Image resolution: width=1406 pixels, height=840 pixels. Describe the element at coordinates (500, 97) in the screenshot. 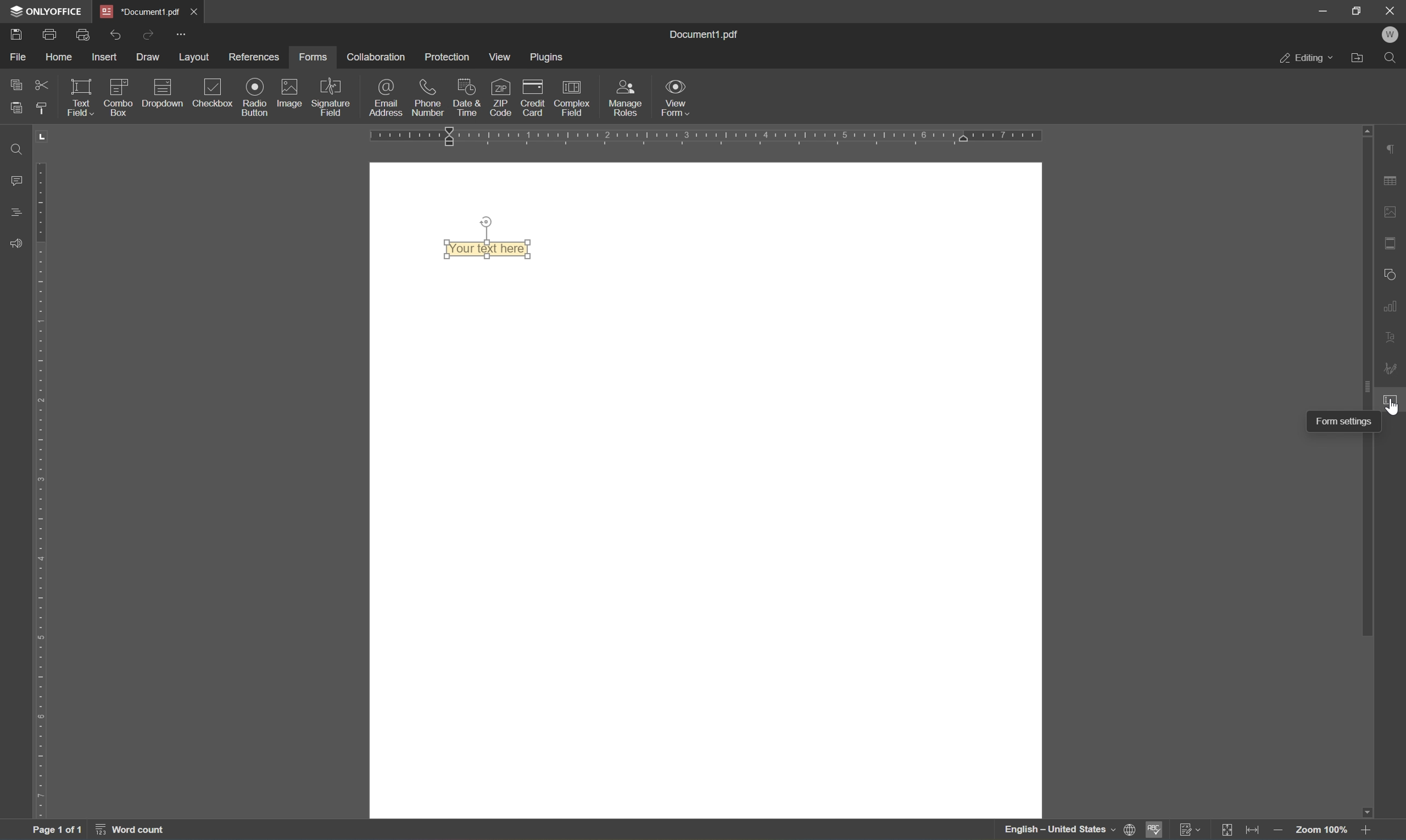

I see `zip code` at that location.